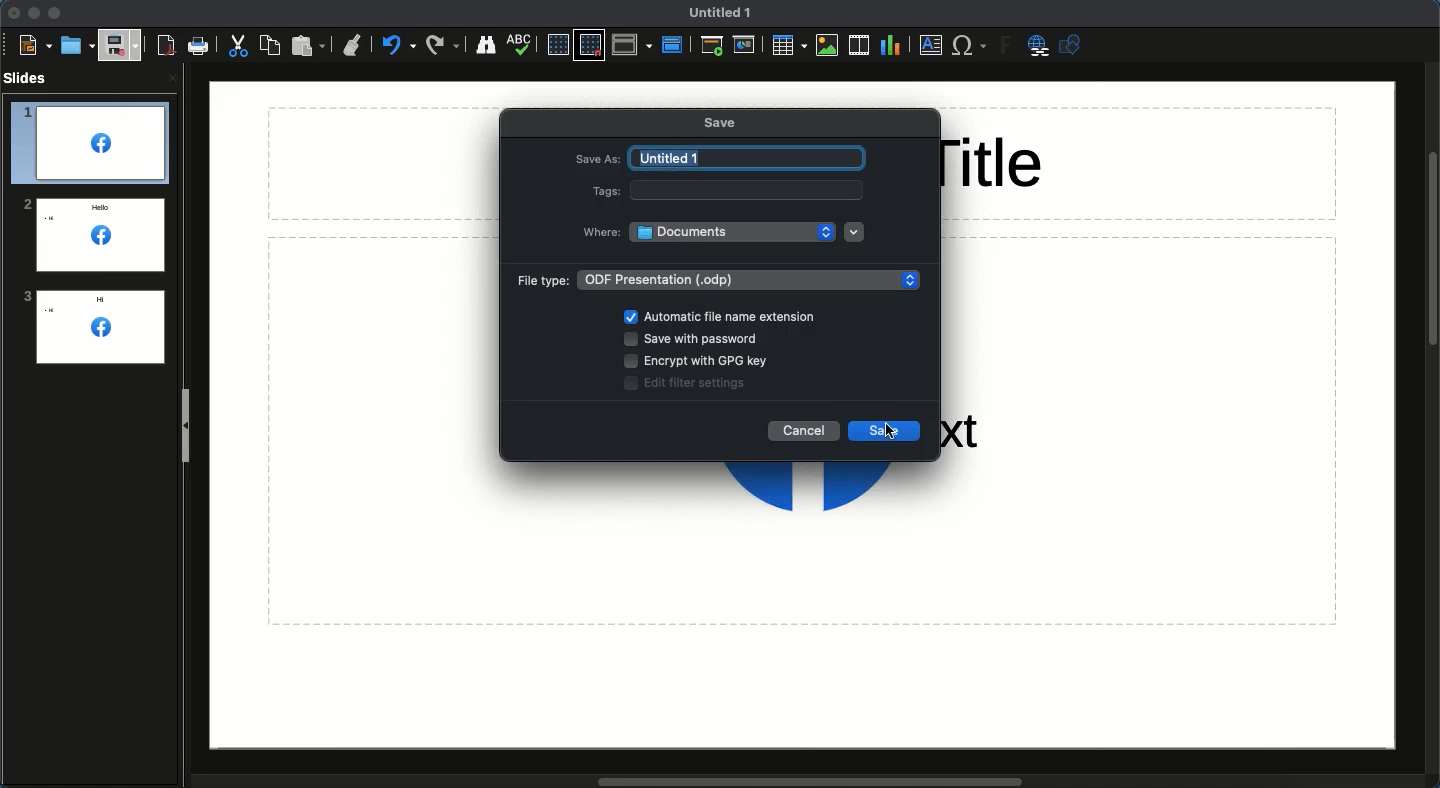 The image size is (1440, 788). I want to click on Audio or video, so click(858, 47).